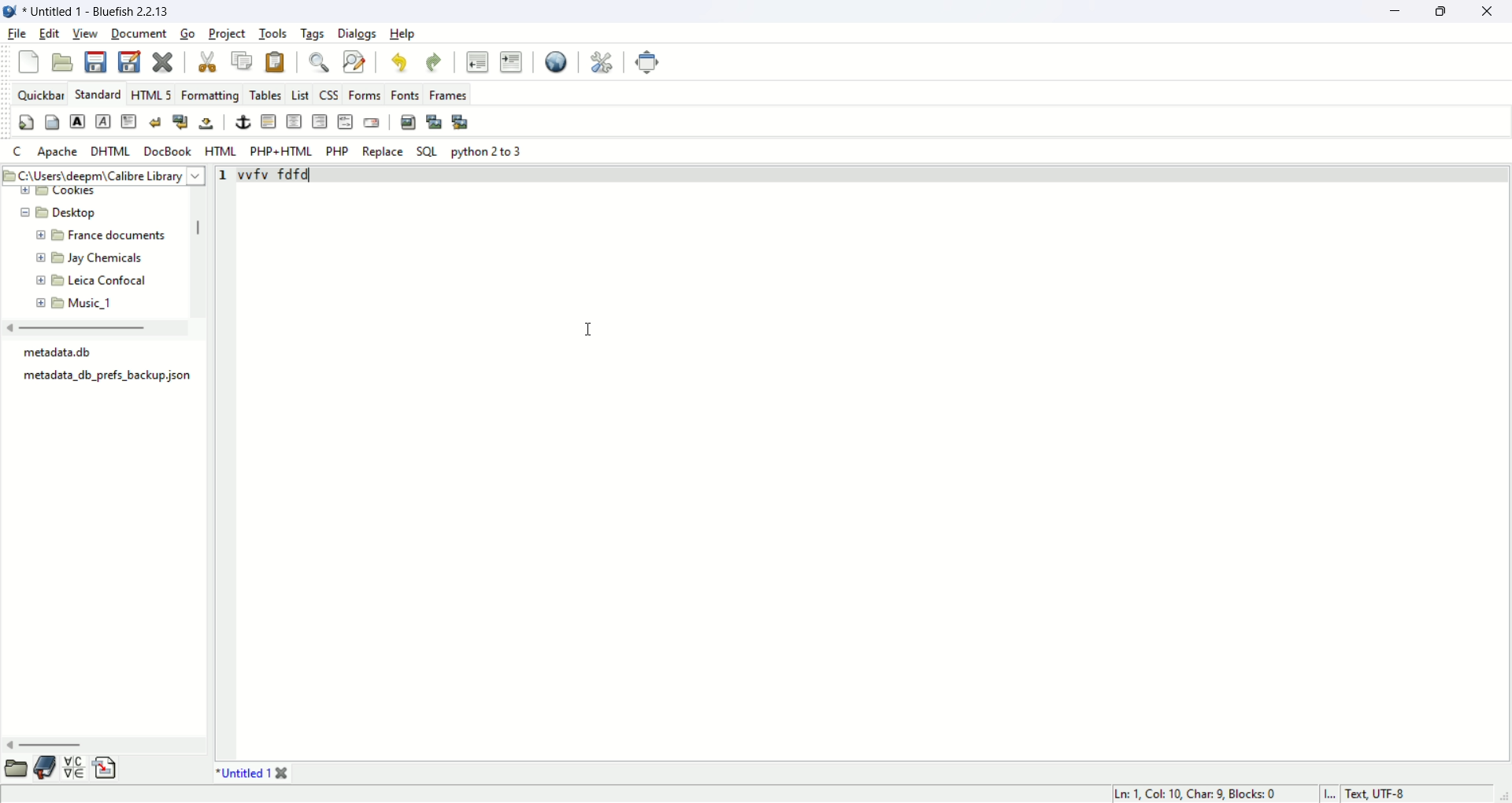 The width and height of the screenshot is (1512, 803). I want to click on DocBook, so click(166, 151).